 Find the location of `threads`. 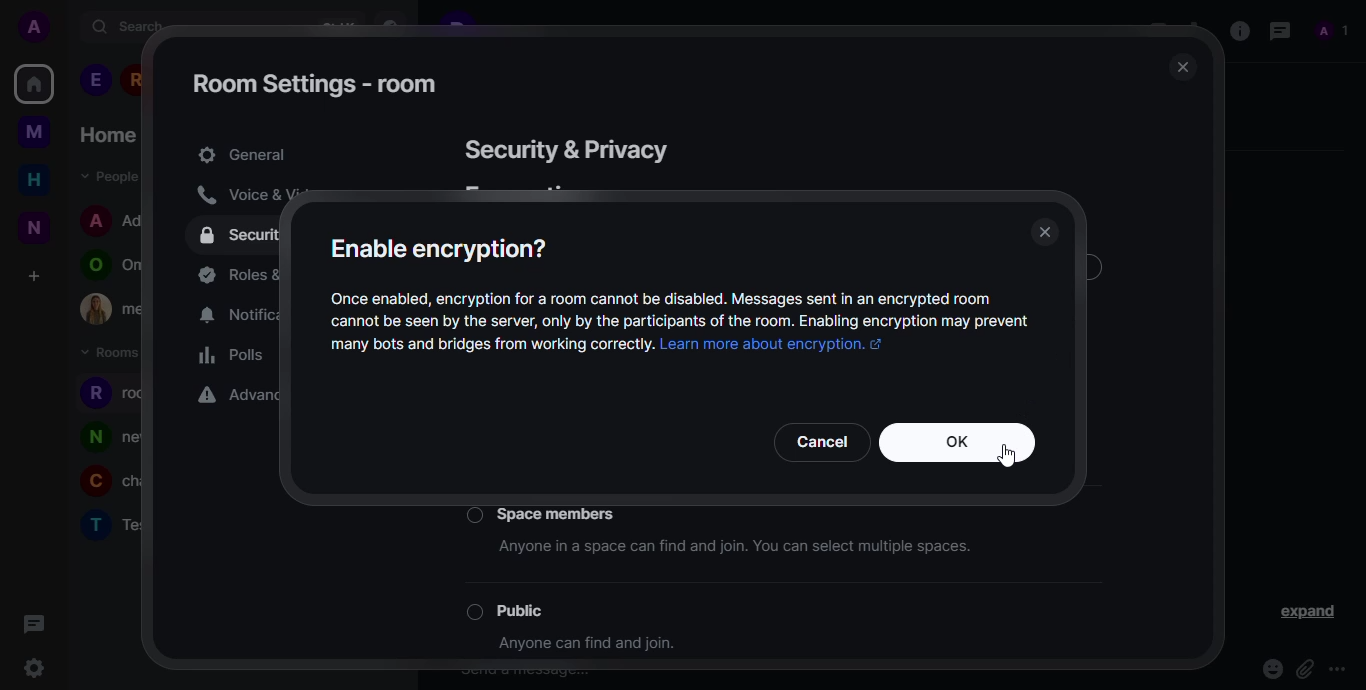

threads is located at coordinates (35, 624).